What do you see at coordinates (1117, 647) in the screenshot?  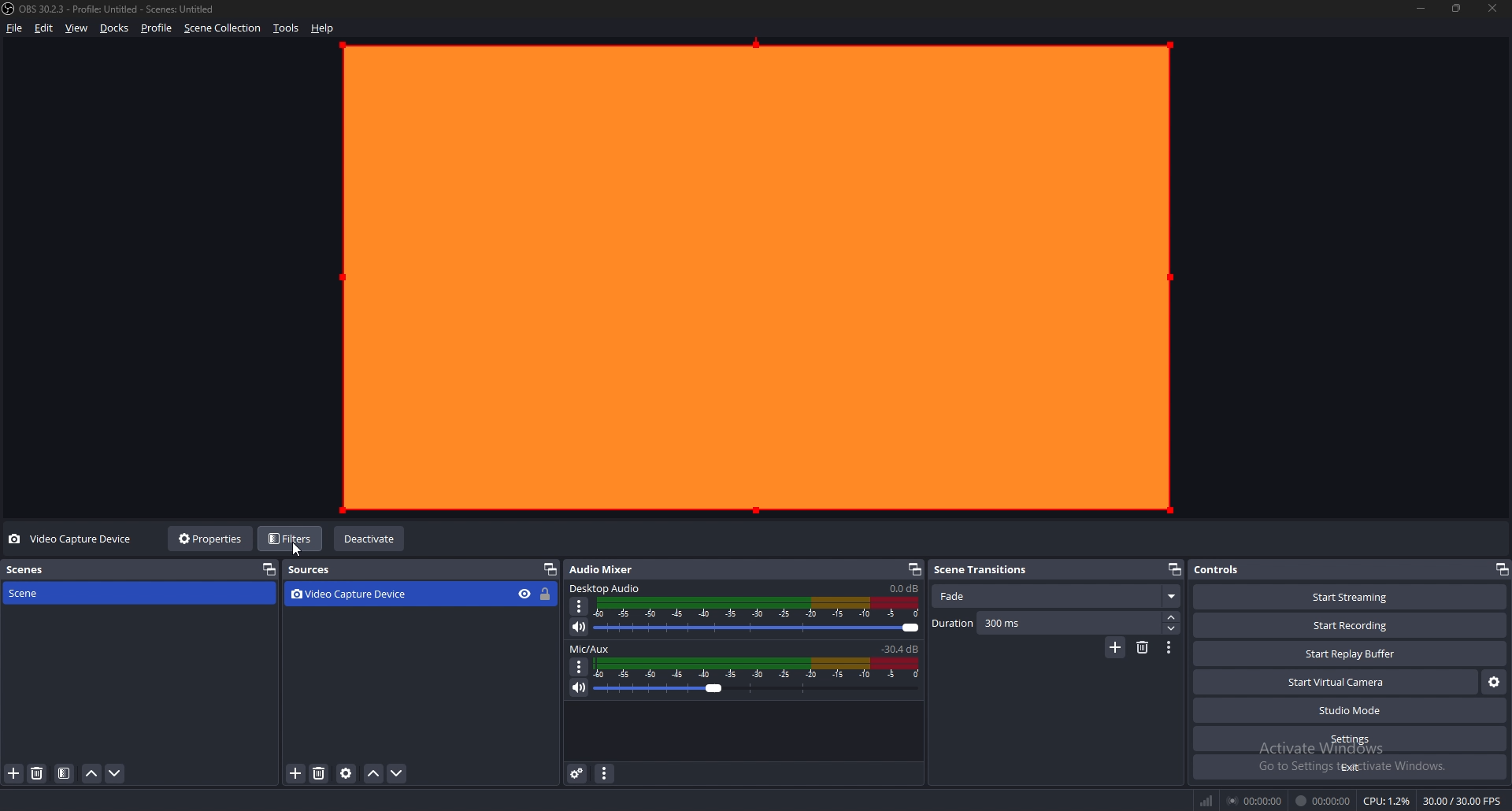 I see `add transition` at bounding box center [1117, 647].